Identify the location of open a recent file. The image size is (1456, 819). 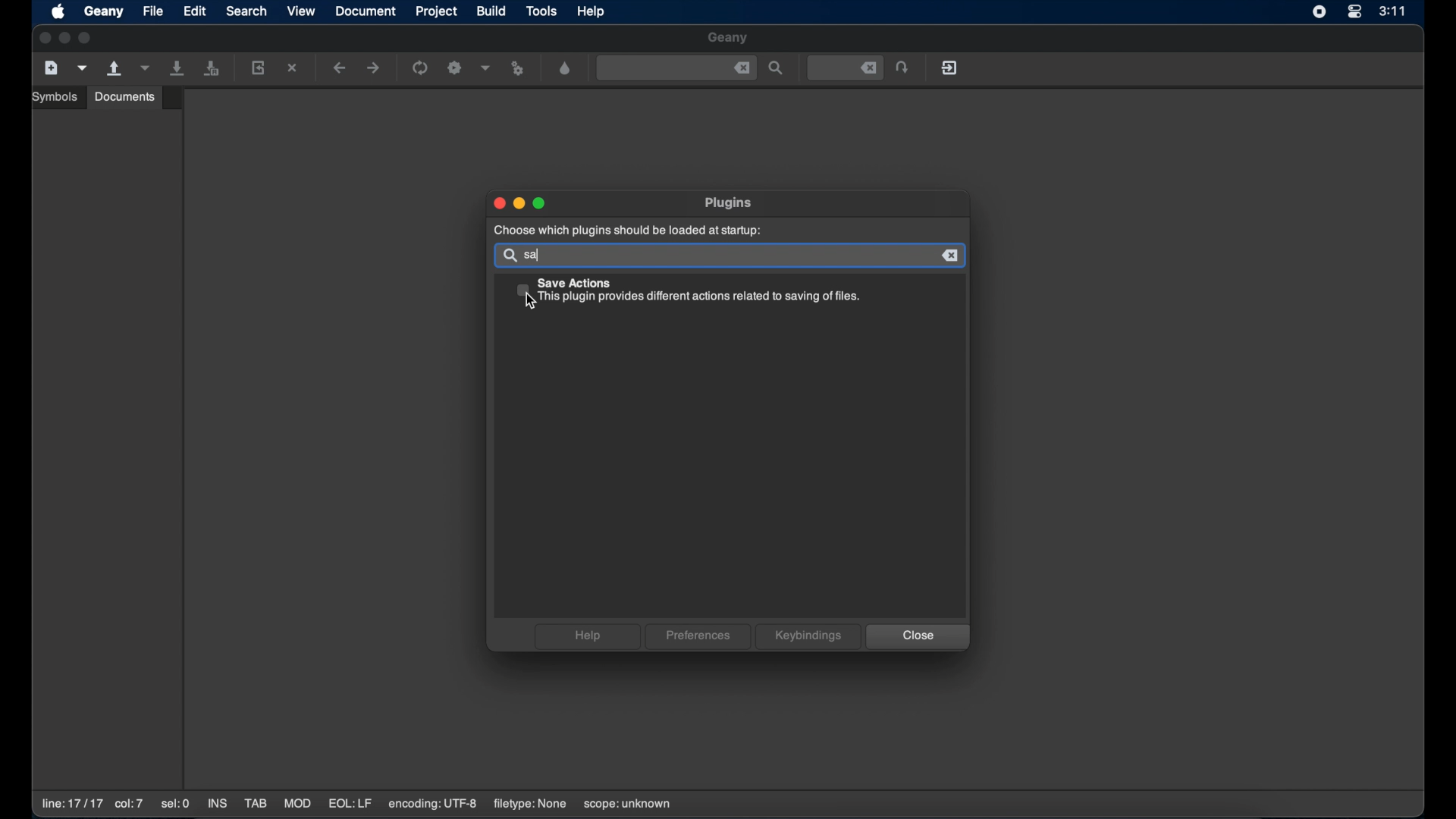
(145, 68).